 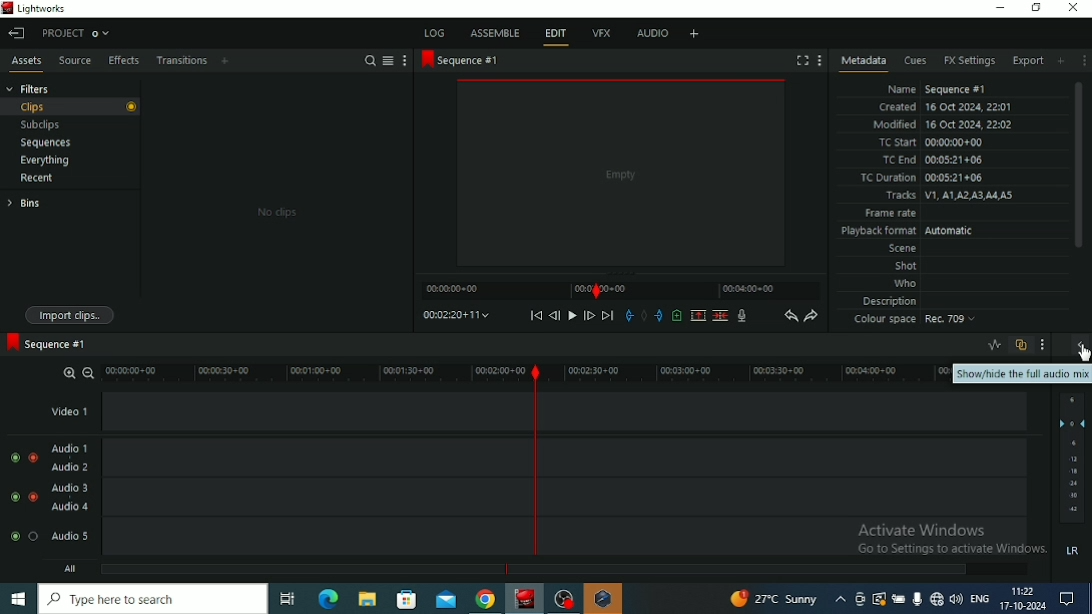 What do you see at coordinates (943, 124) in the screenshot?
I see `Modified` at bounding box center [943, 124].